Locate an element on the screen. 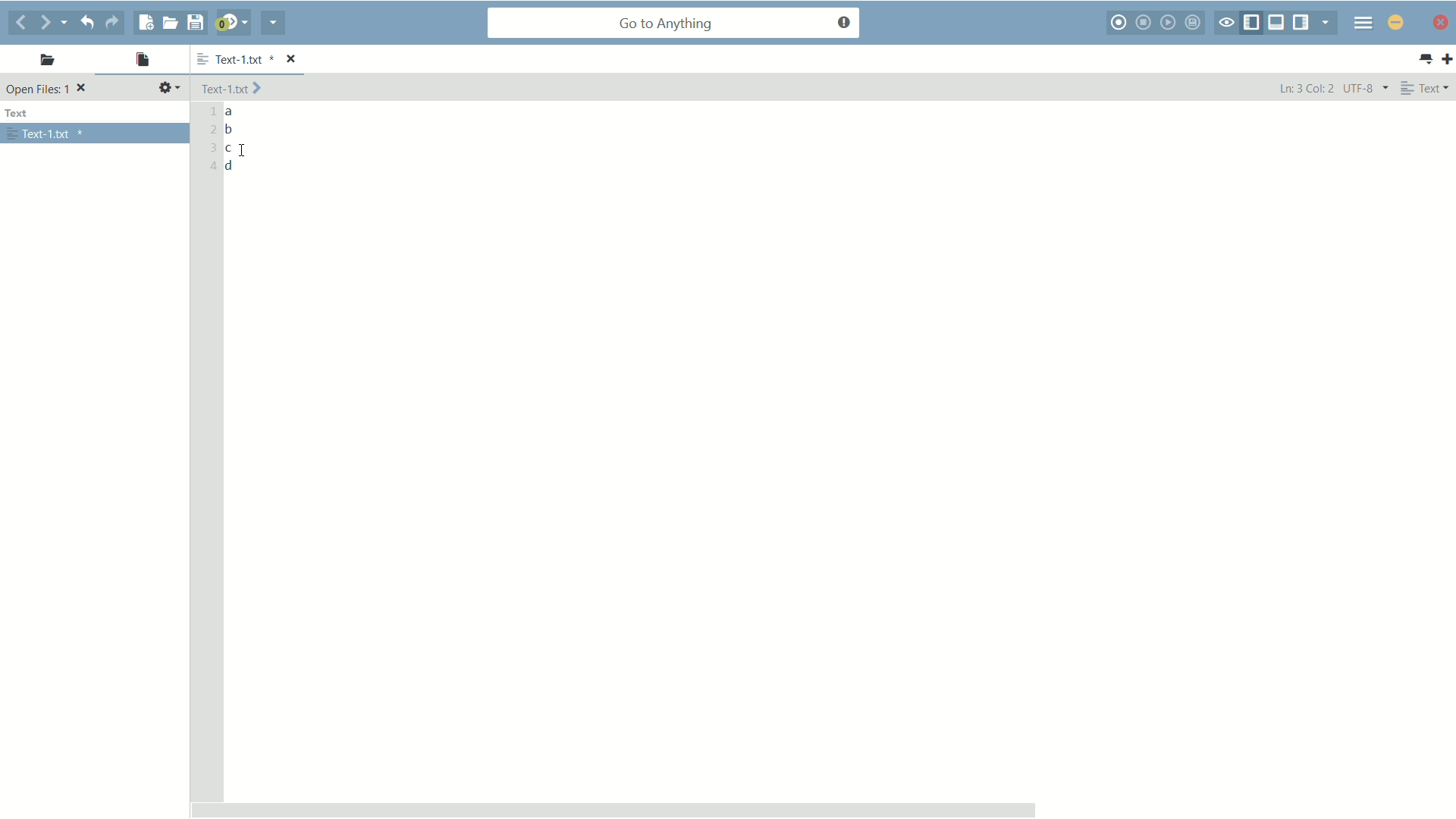  all tabs is located at coordinates (1426, 59).